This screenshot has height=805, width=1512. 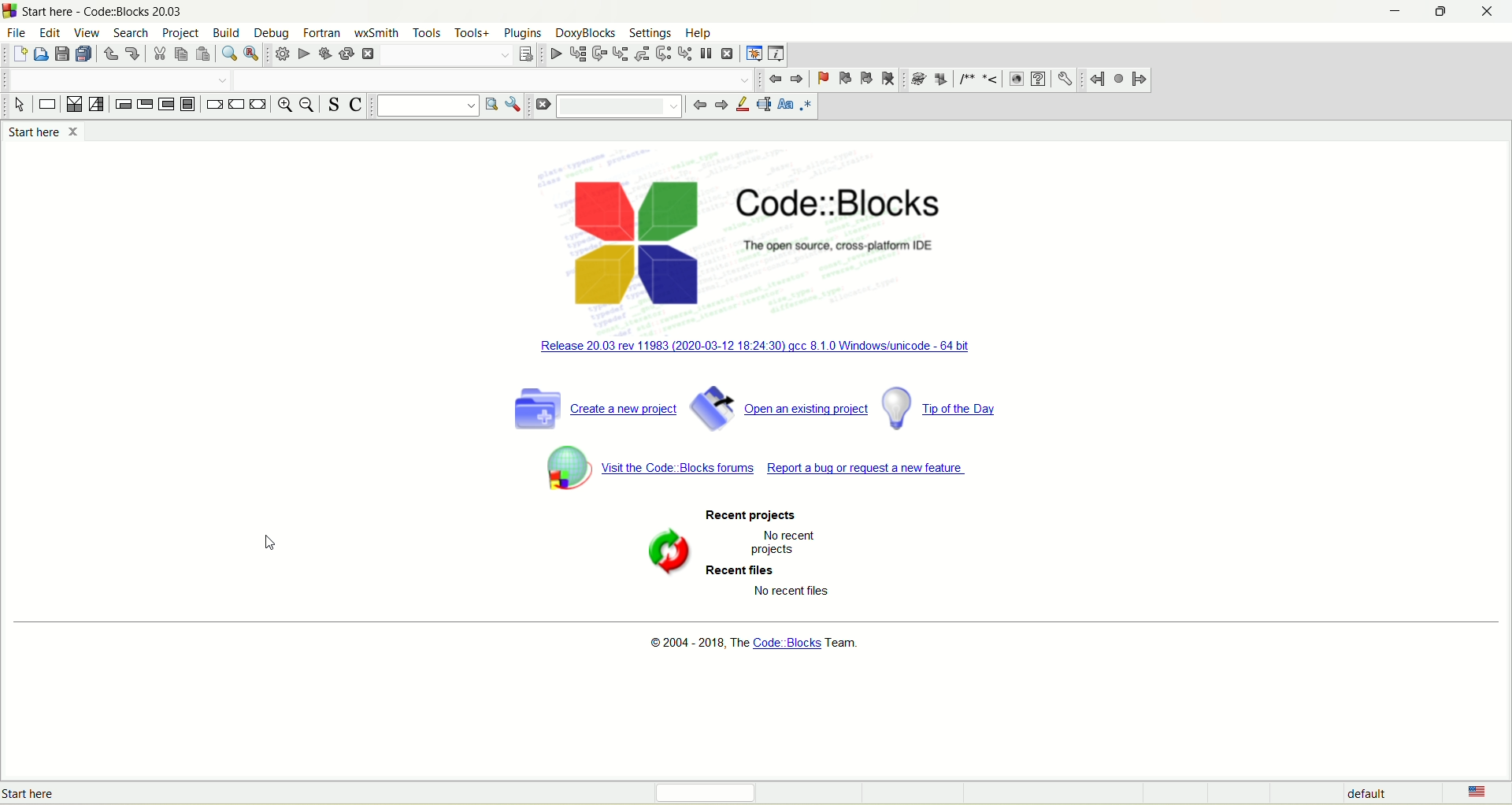 I want to click on file, so click(x=19, y=33).